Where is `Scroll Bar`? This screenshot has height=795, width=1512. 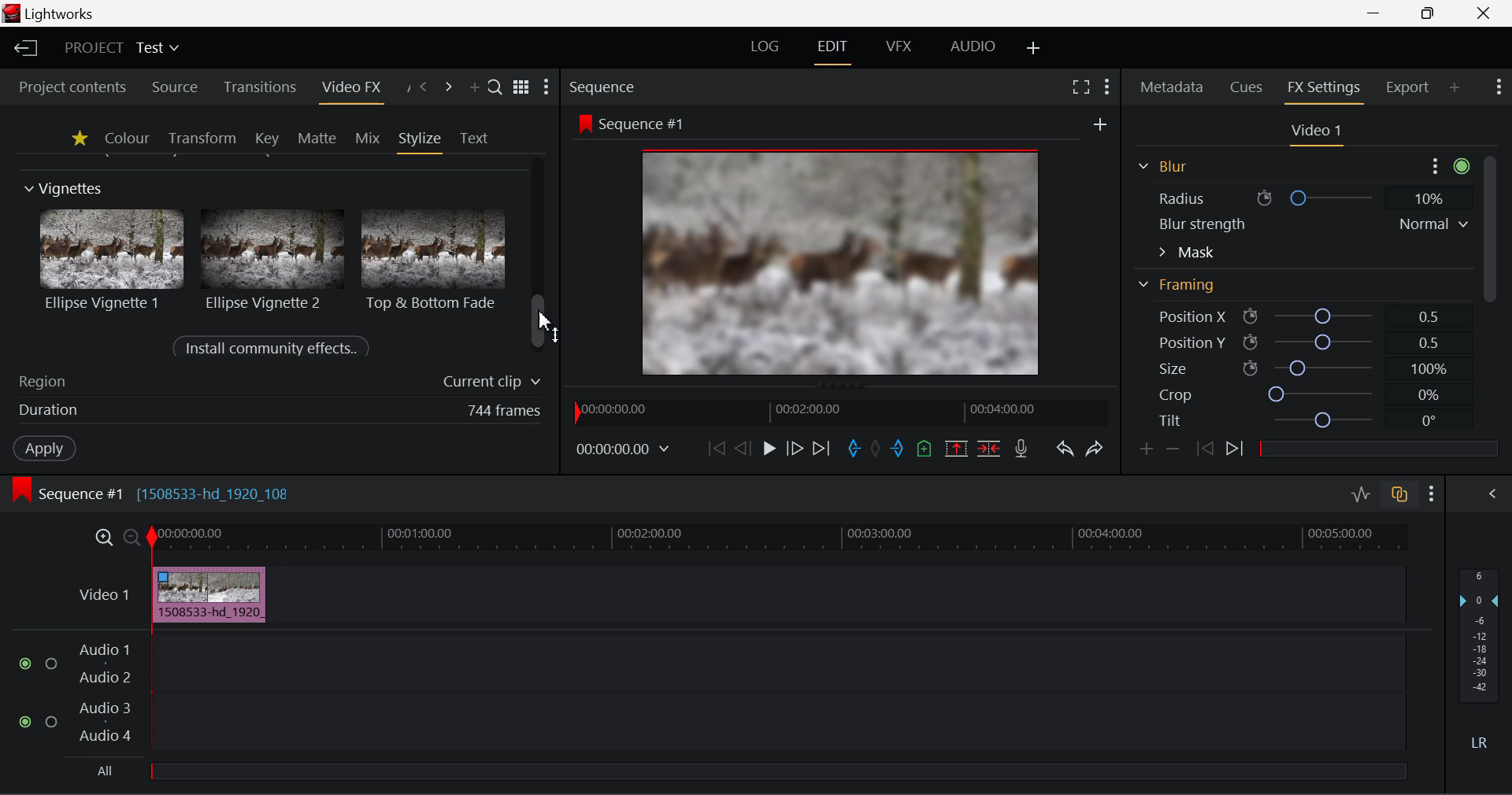
Scroll Bar is located at coordinates (1488, 250).